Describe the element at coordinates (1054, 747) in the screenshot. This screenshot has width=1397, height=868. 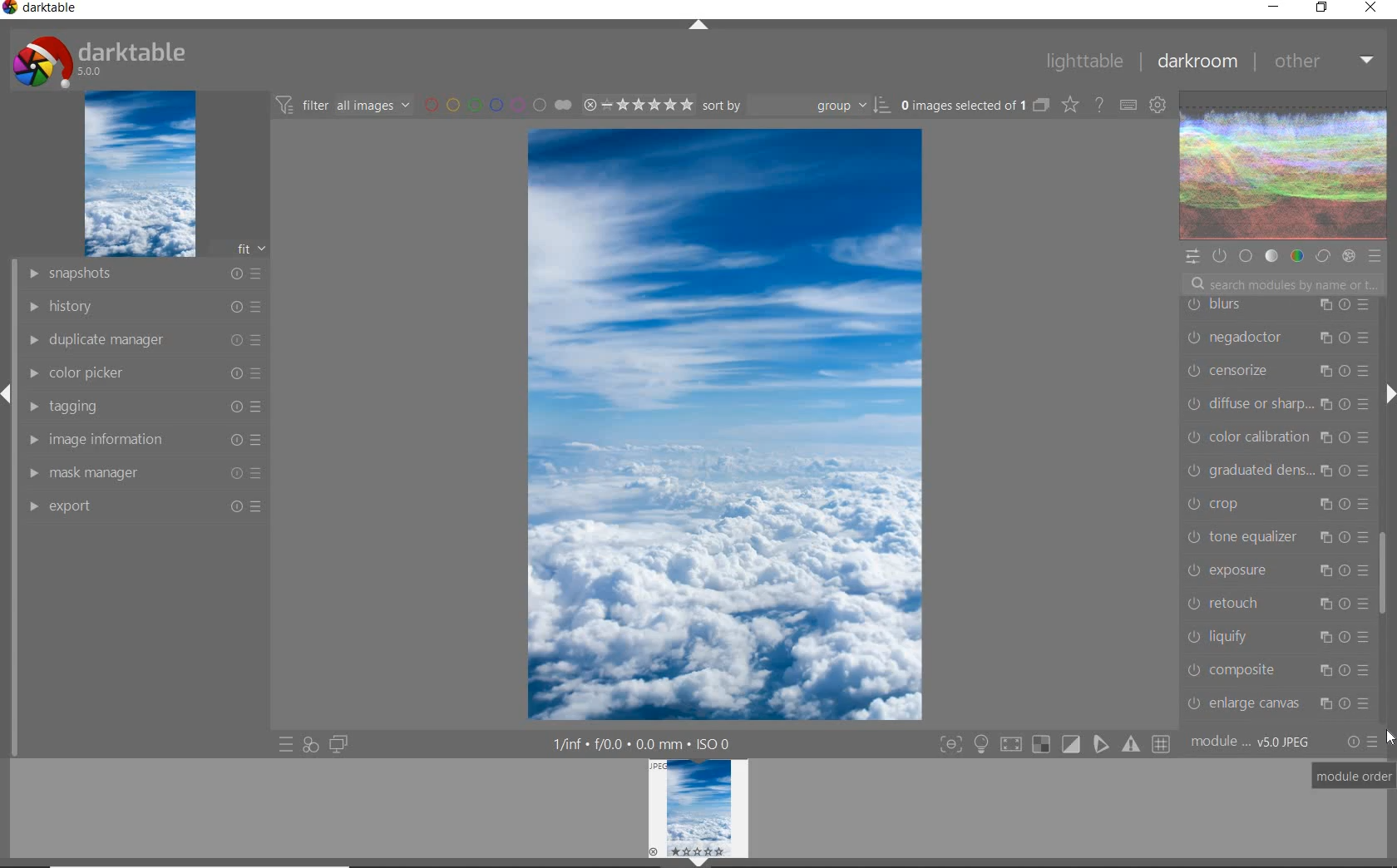
I see `TOGGLE MODES` at that location.